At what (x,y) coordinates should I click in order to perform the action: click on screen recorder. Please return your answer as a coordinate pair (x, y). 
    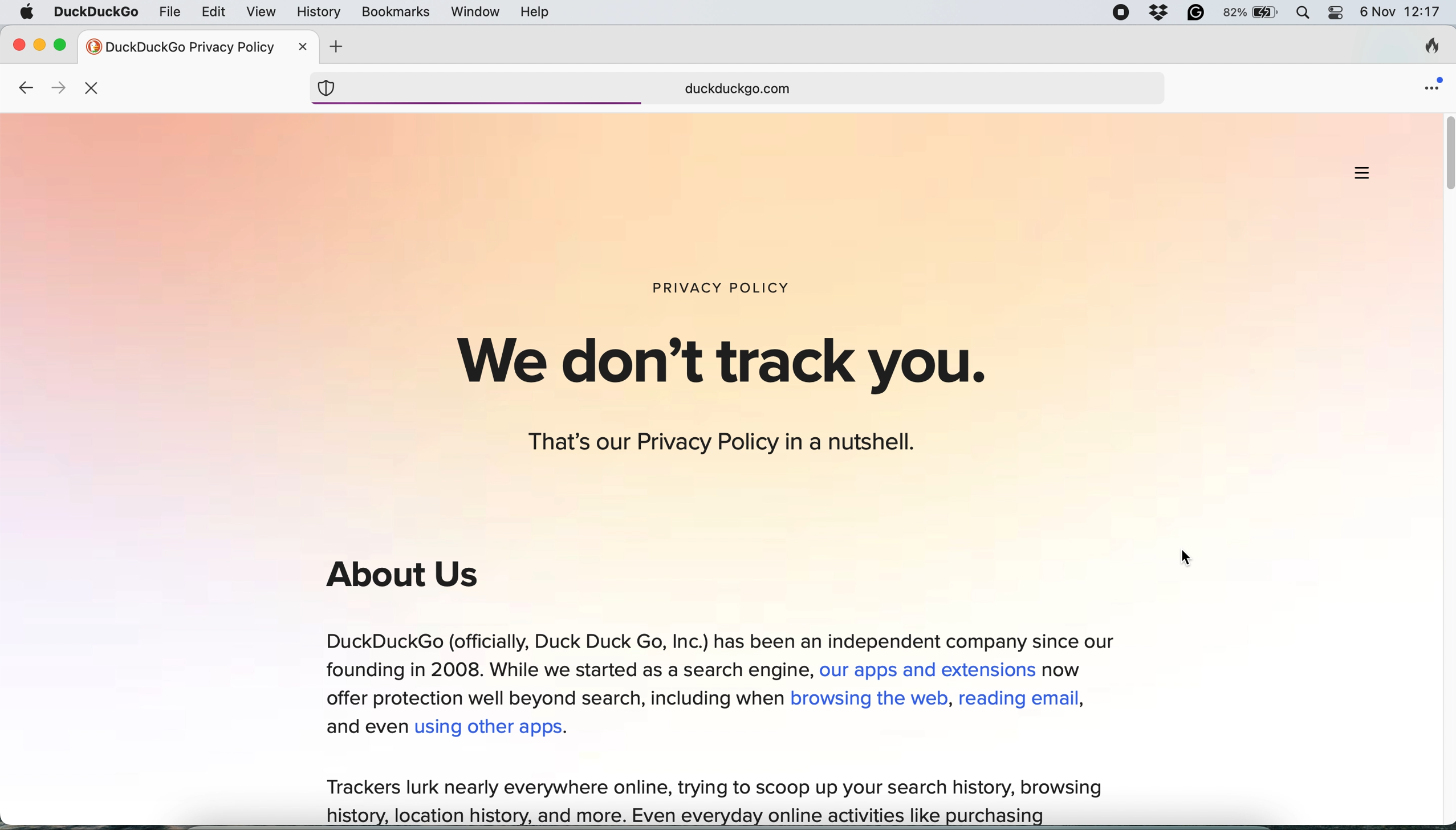
    Looking at the image, I should click on (1126, 15).